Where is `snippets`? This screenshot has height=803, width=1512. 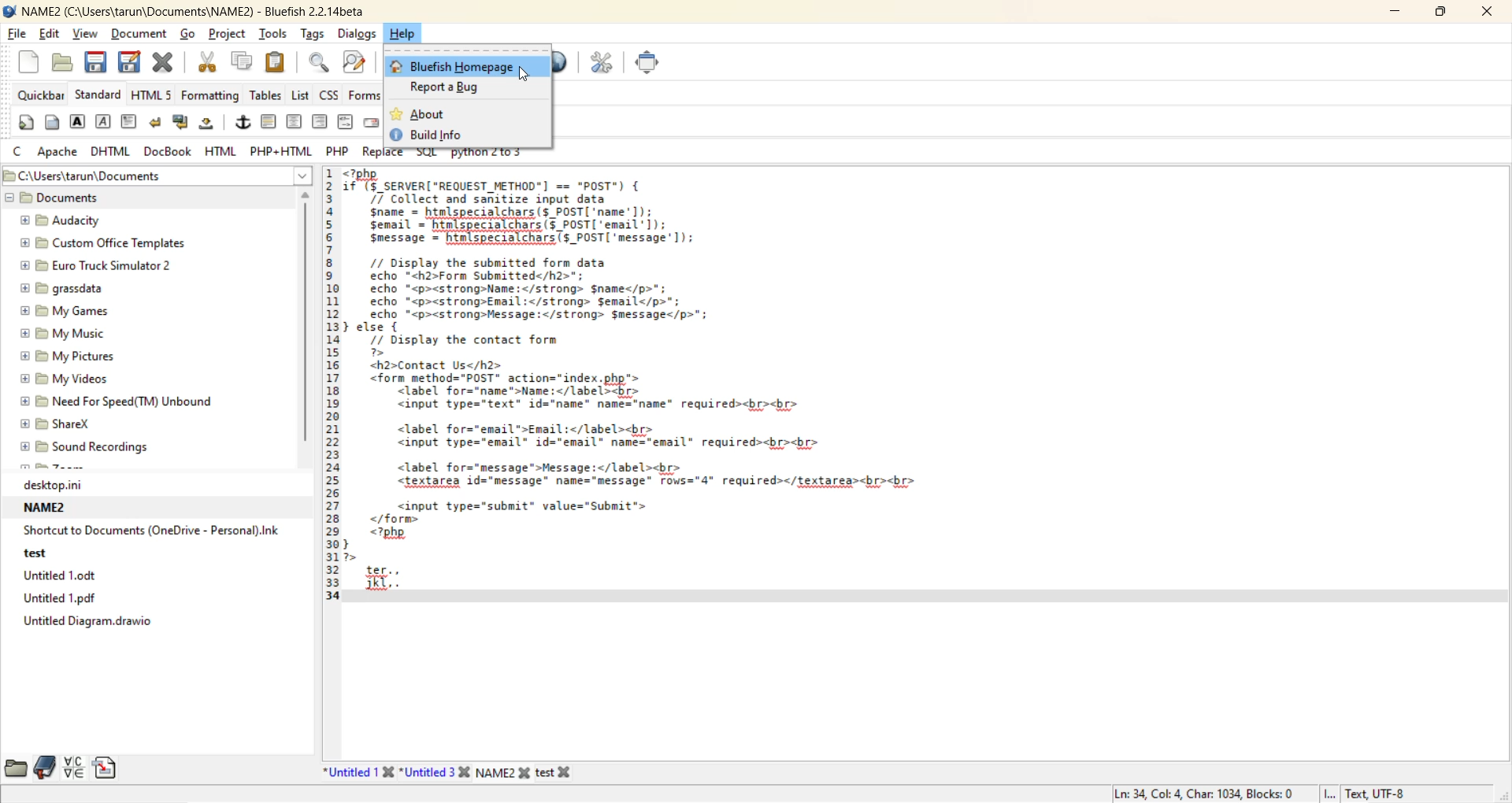 snippets is located at coordinates (105, 767).